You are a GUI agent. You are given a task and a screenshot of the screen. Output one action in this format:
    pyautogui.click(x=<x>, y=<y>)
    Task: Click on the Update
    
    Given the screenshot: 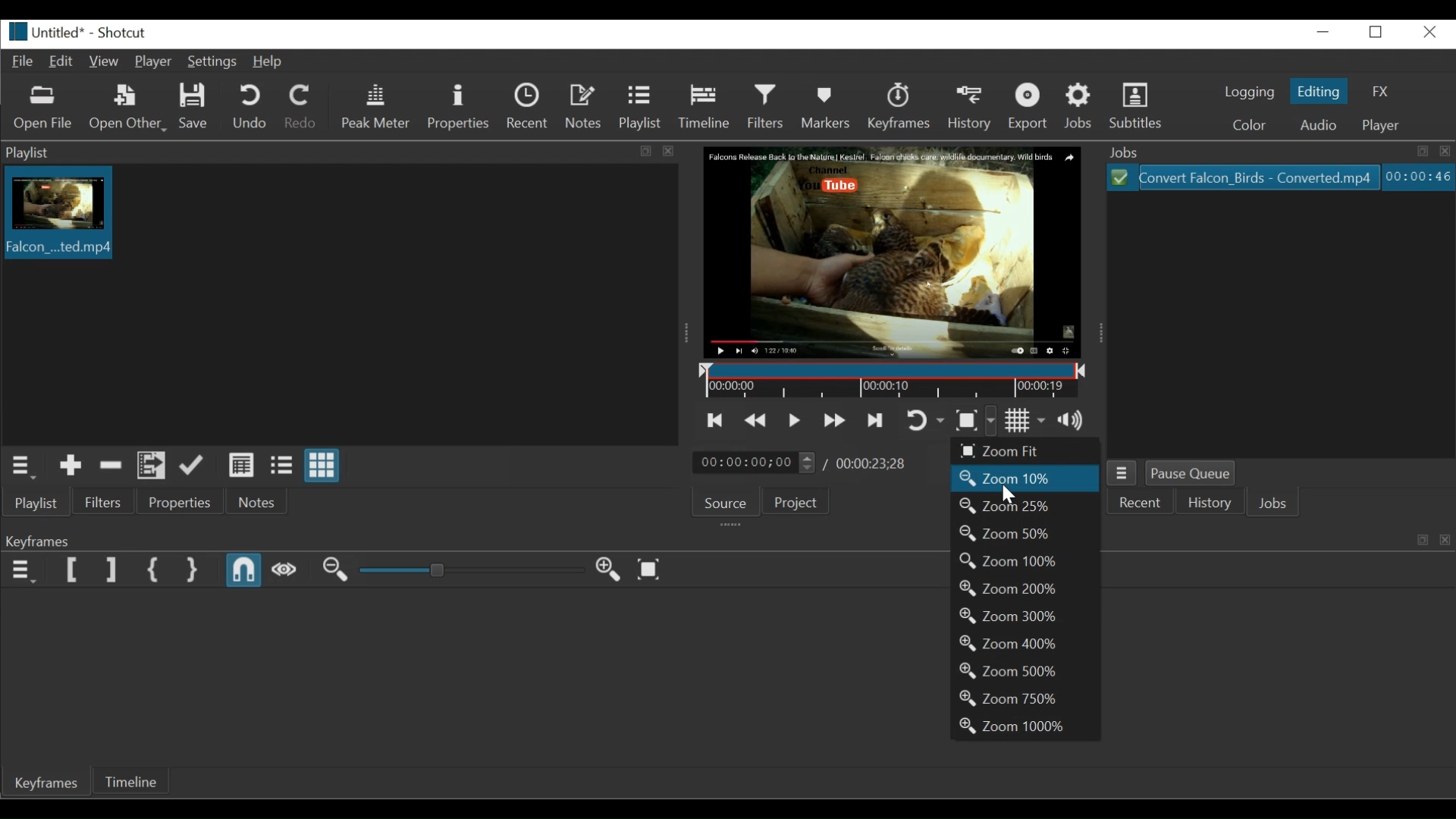 What is the action you would take?
    pyautogui.click(x=189, y=466)
    